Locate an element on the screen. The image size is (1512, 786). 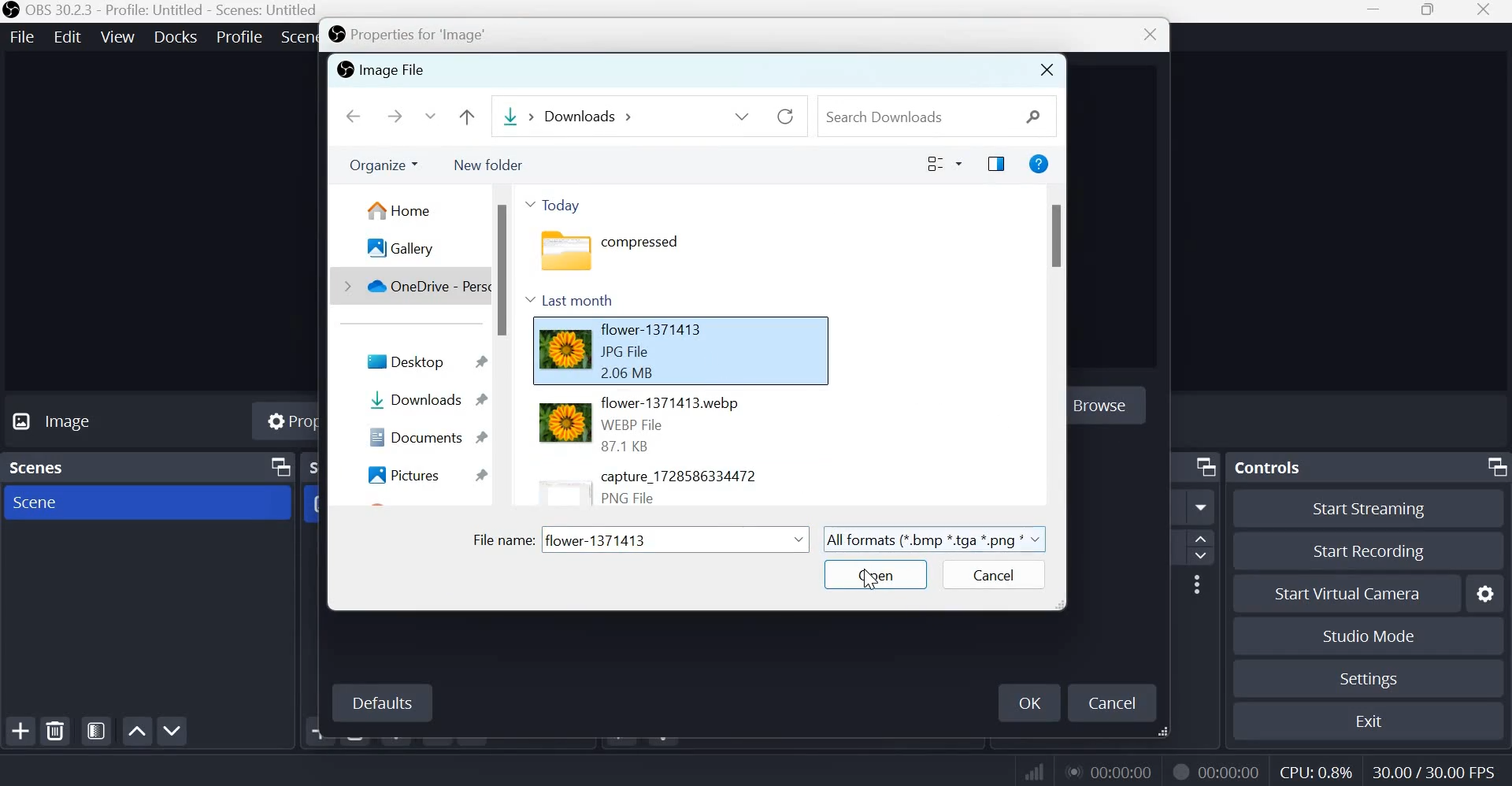
00:00:00 is located at coordinates (1113, 772).